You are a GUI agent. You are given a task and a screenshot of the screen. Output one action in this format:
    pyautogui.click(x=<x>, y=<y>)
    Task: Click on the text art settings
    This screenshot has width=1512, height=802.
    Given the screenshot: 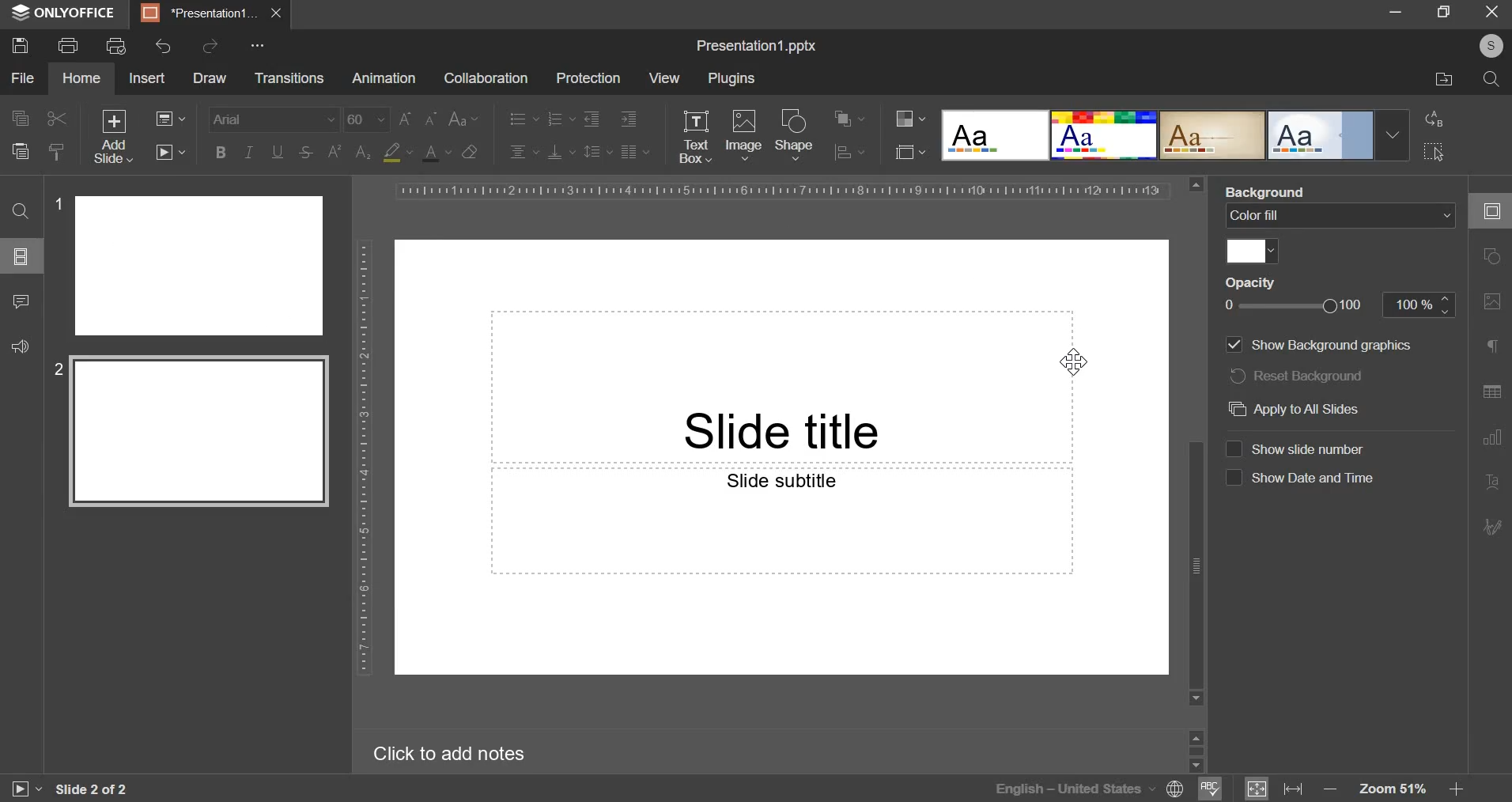 What is the action you would take?
    pyautogui.click(x=1488, y=479)
    